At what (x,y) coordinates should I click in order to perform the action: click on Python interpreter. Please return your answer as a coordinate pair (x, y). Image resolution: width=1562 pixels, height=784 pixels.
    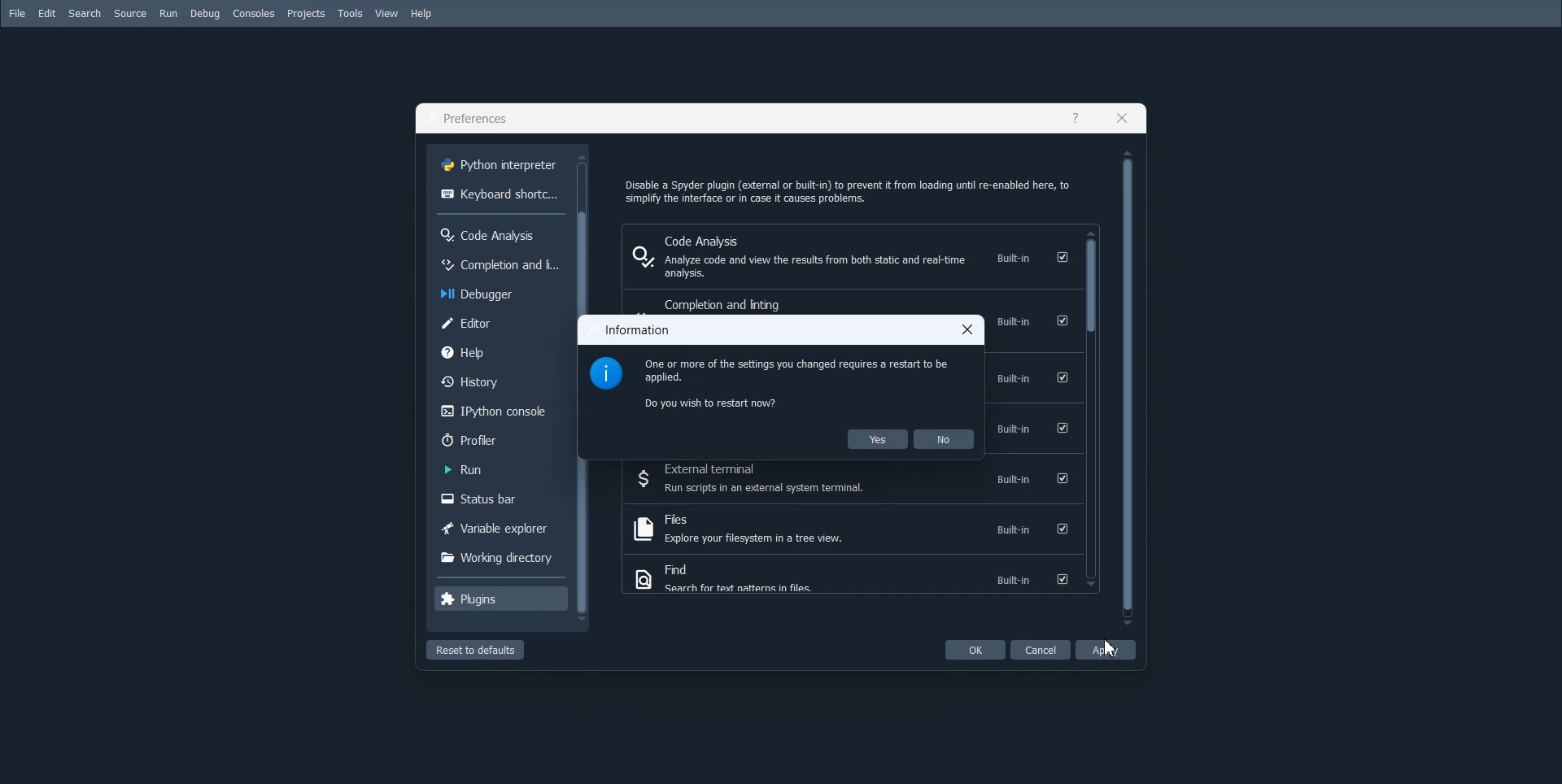
    Looking at the image, I should click on (500, 163).